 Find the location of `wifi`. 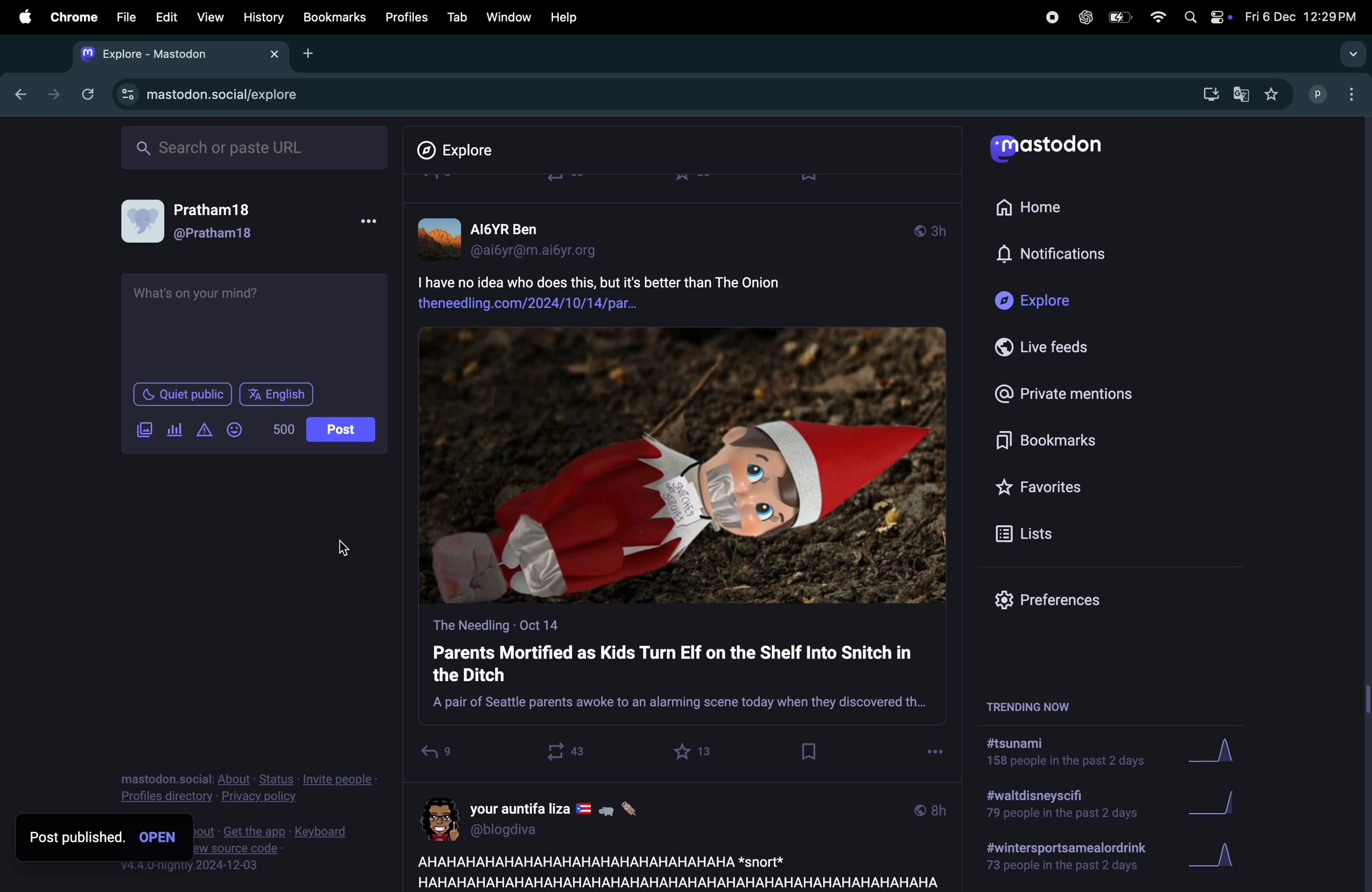

wifi is located at coordinates (1157, 17).